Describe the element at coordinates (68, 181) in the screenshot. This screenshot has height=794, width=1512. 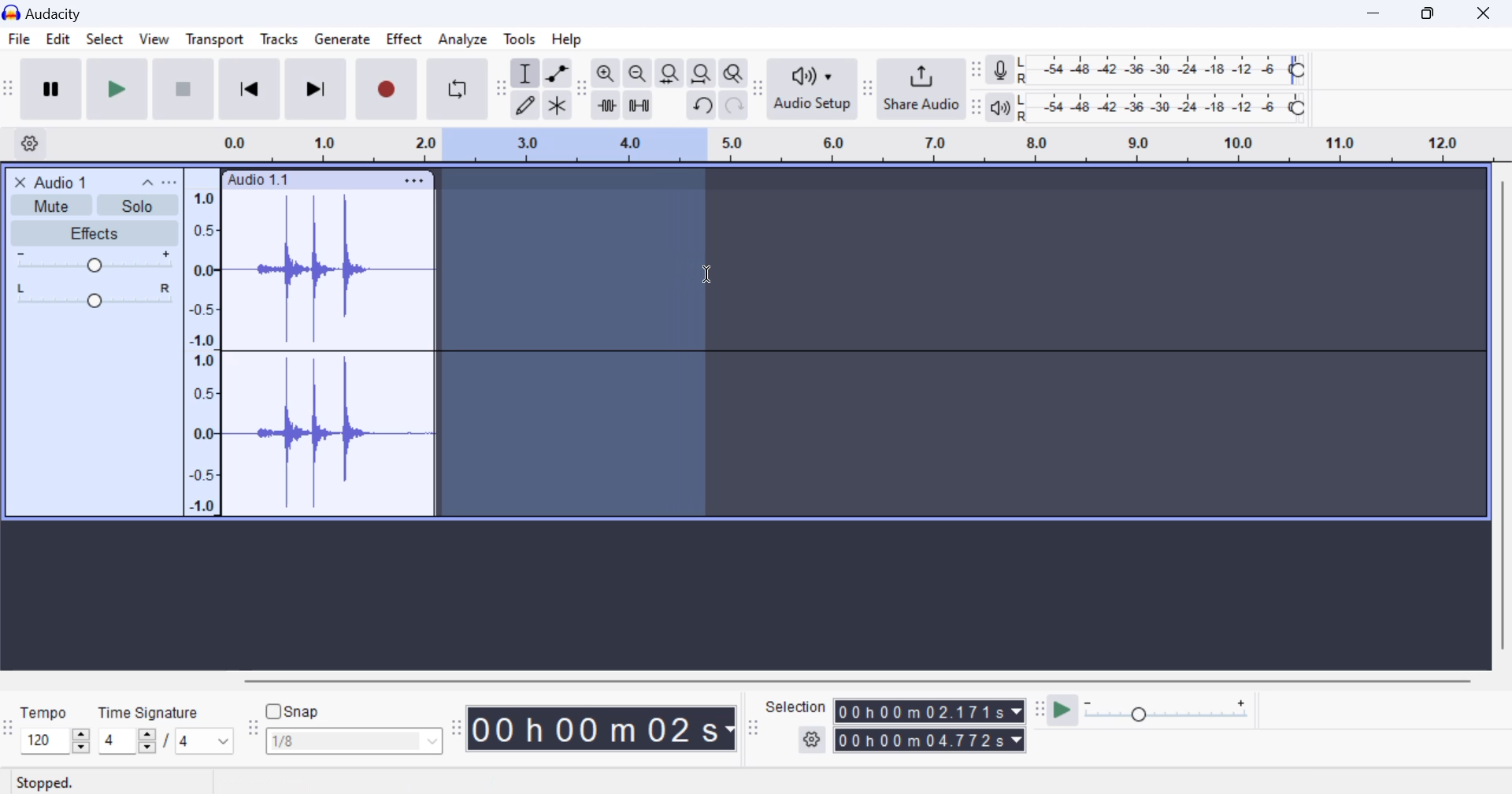
I see `Clip Title` at that location.